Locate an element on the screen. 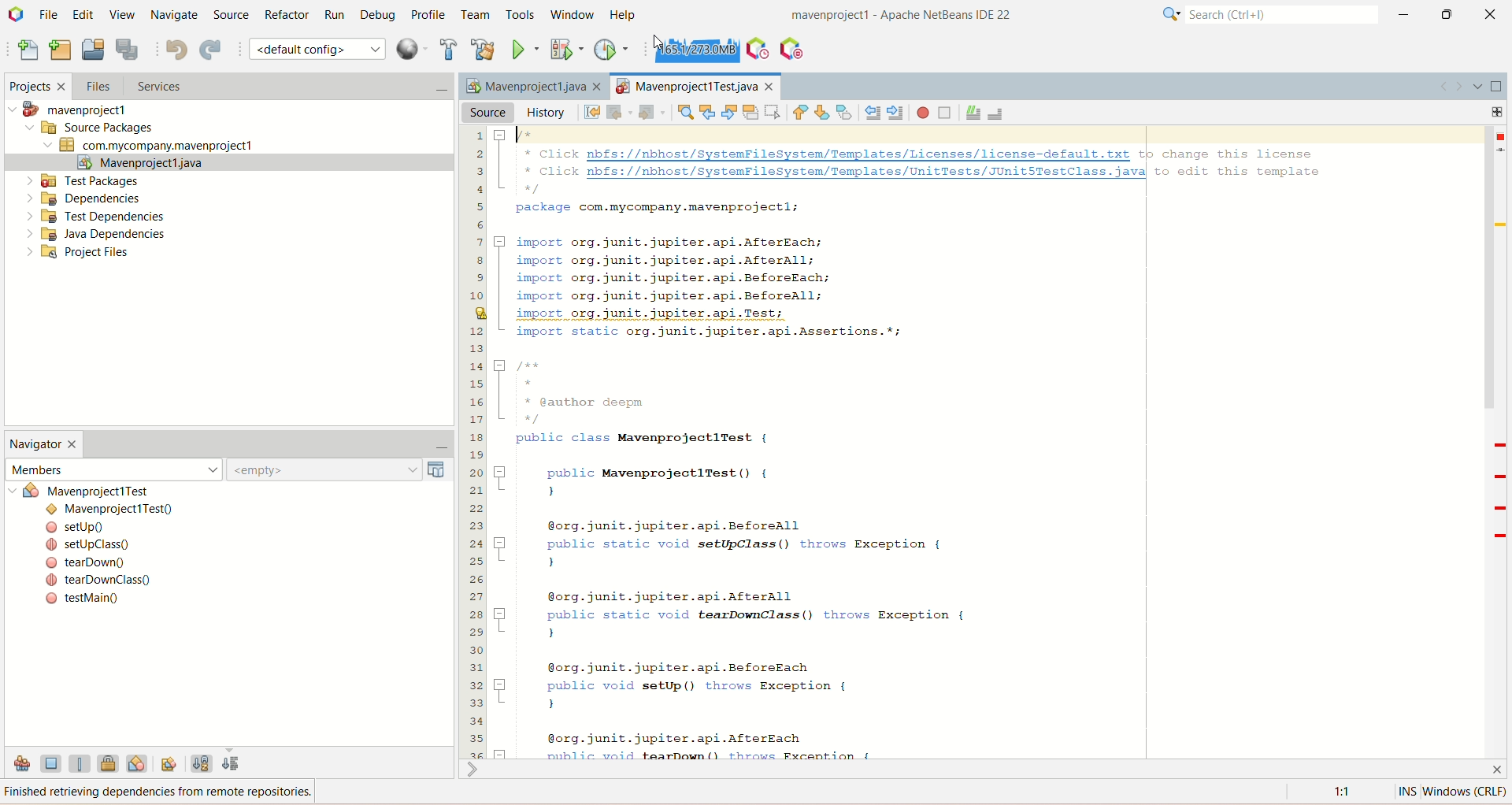 The image size is (1512, 805). shift line right is located at coordinates (896, 113).